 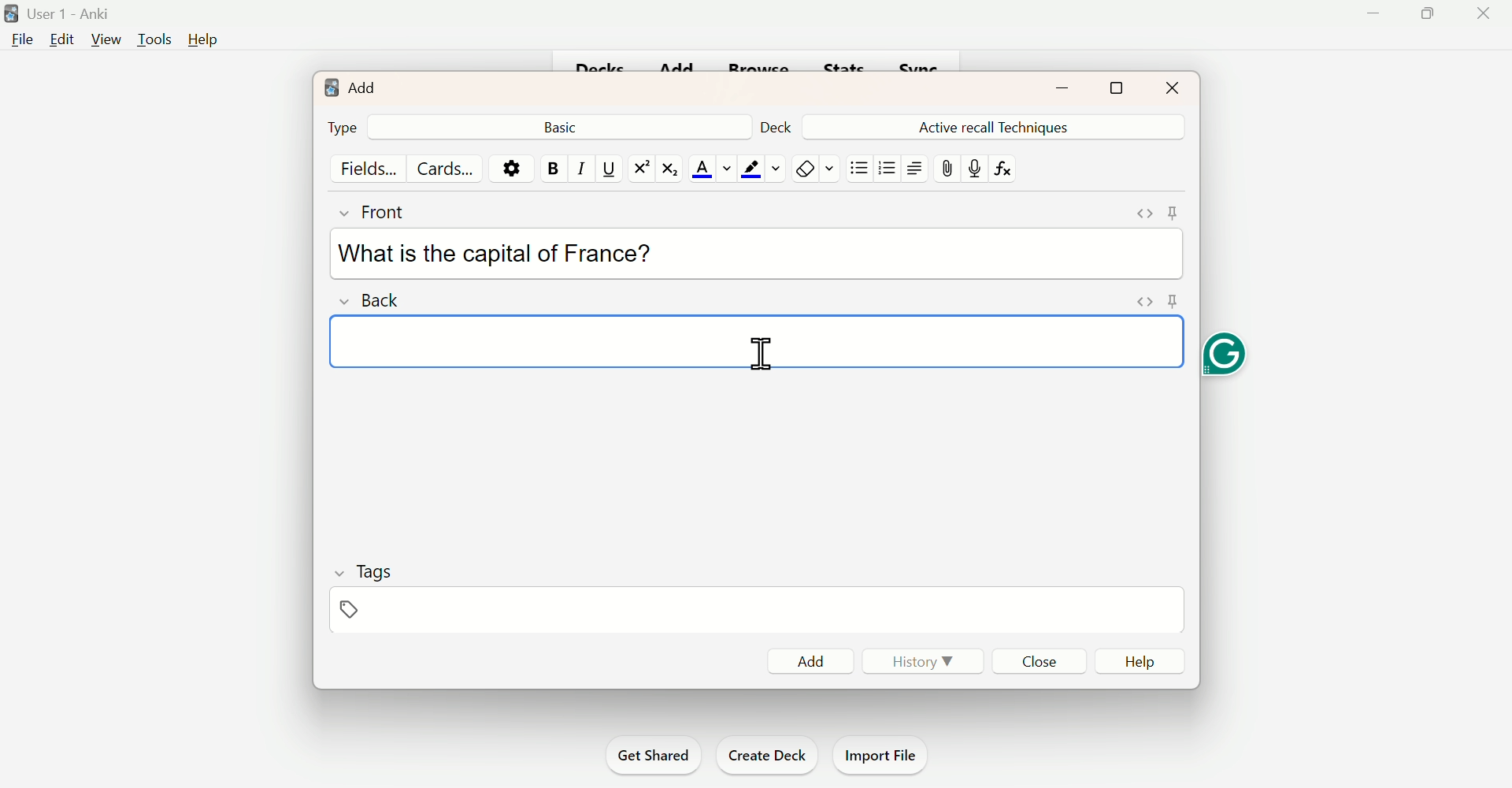 I want to click on Organised List, so click(x=887, y=169).